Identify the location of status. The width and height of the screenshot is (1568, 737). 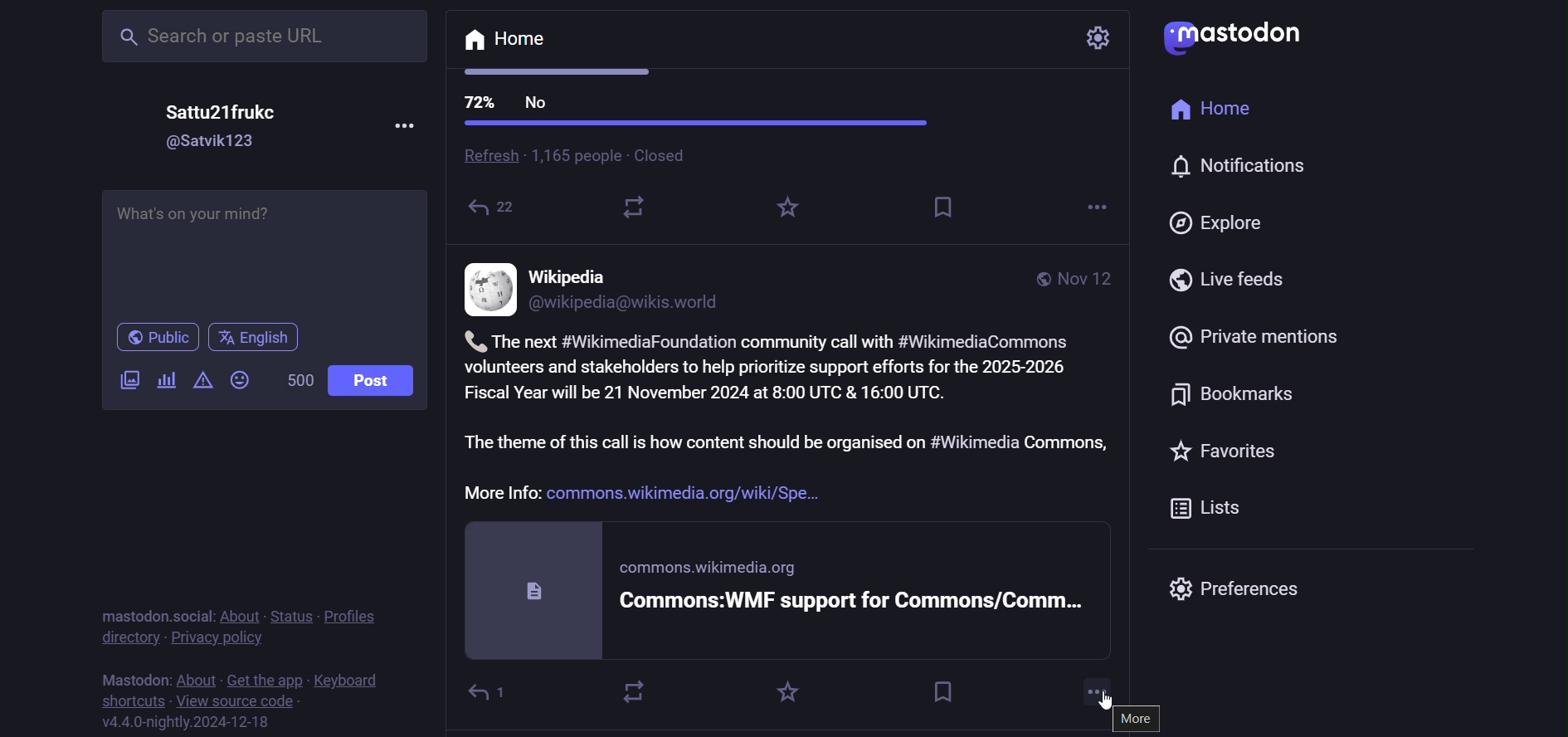
(287, 613).